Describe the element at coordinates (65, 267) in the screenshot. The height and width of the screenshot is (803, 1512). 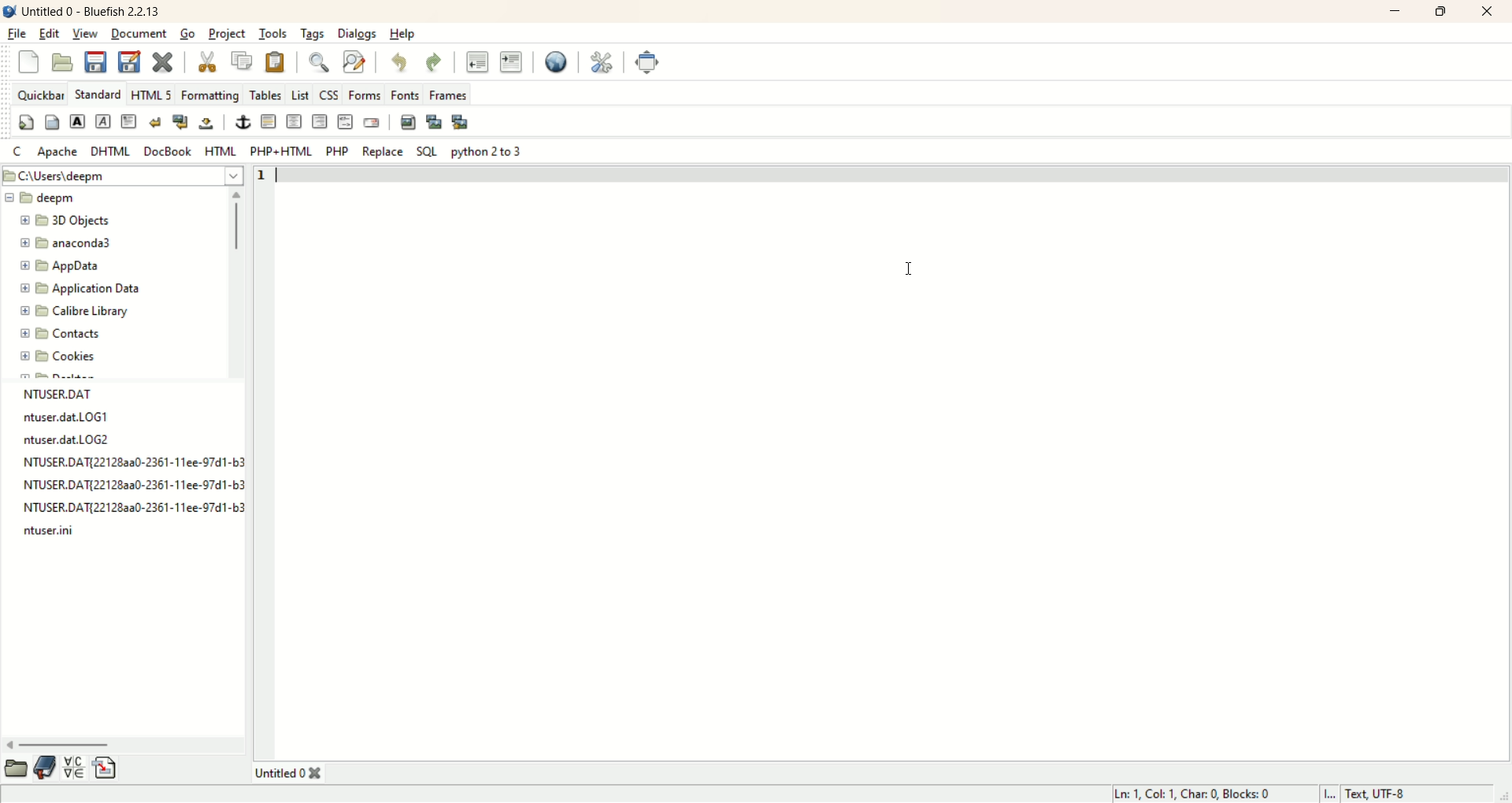
I see `appdata` at that location.